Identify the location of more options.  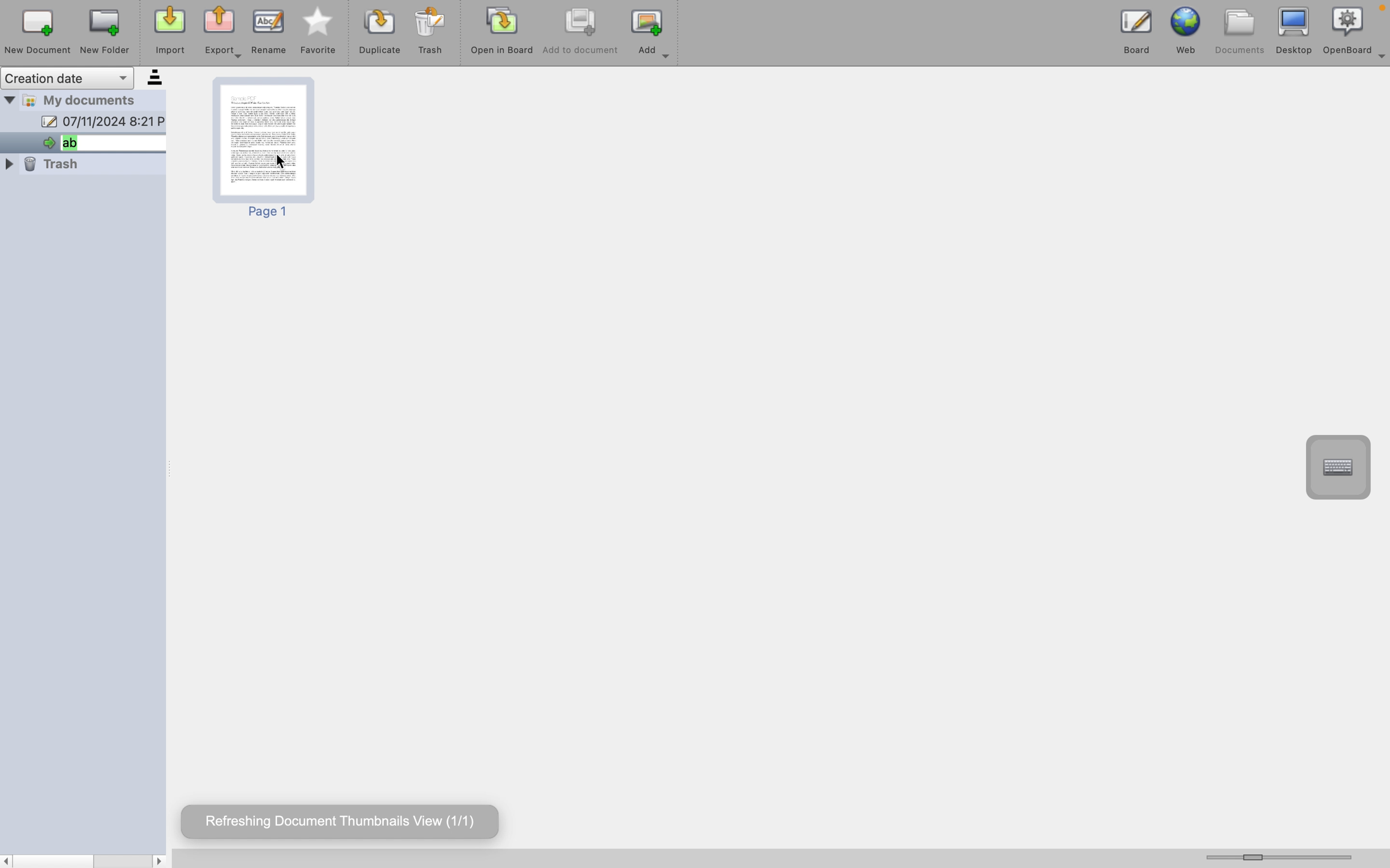
(1379, 61).